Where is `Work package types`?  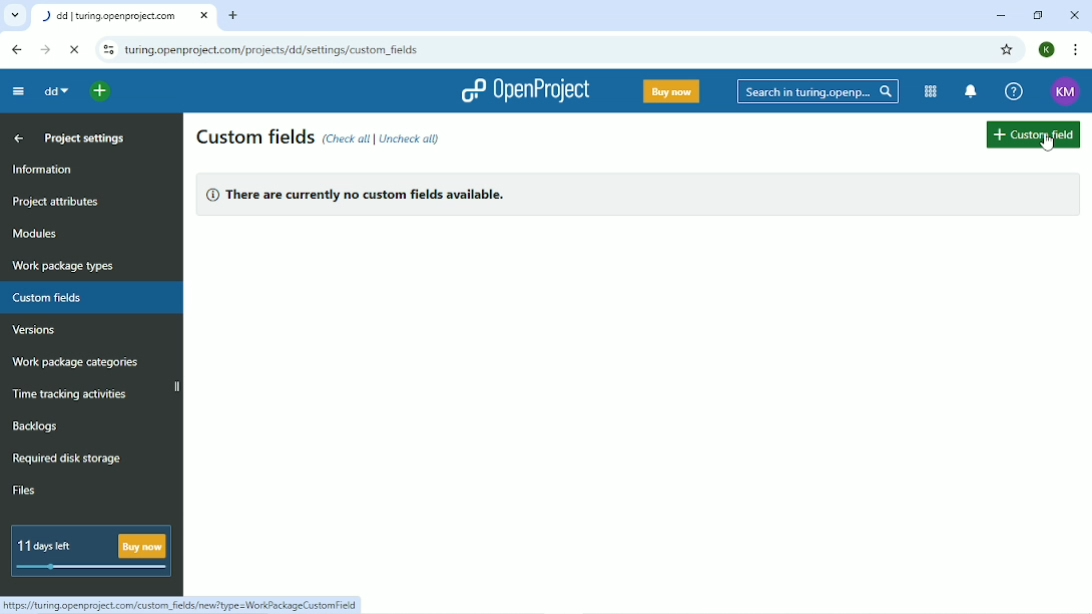
Work package types is located at coordinates (64, 267).